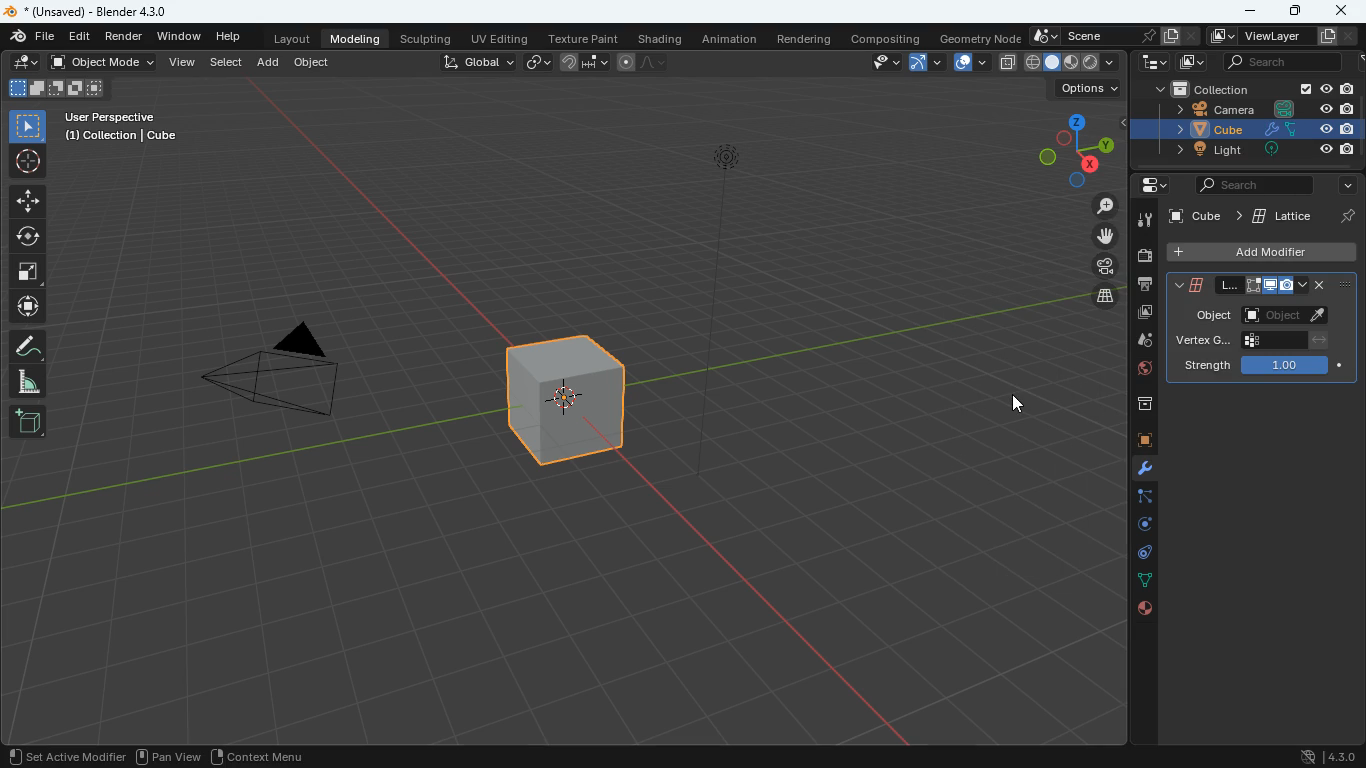  What do you see at coordinates (478, 62) in the screenshot?
I see `global` at bounding box center [478, 62].